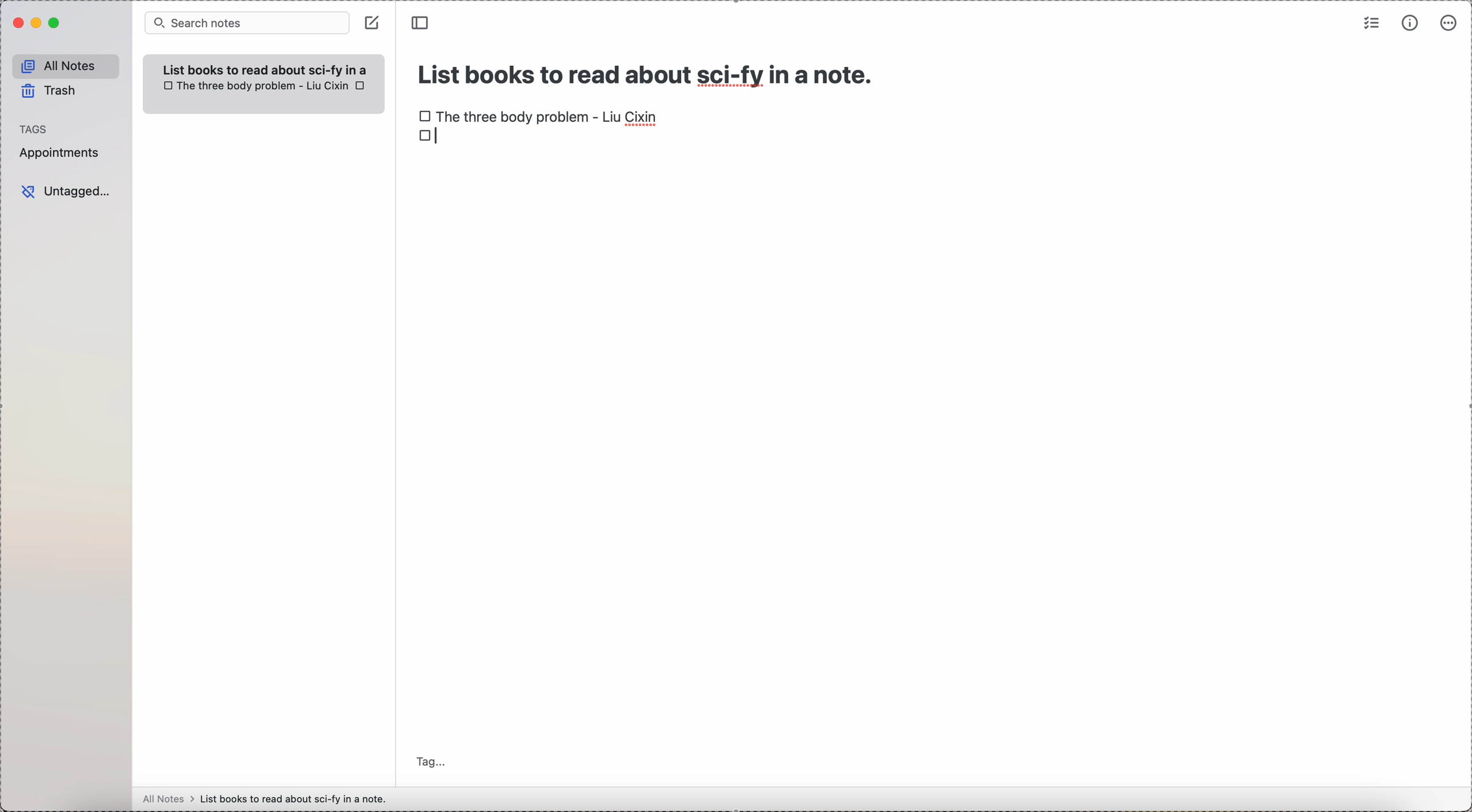 This screenshot has width=1472, height=812. What do you see at coordinates (428, 139) in the screenshot?
I see `checkbox` at bounding box center [428, 139].